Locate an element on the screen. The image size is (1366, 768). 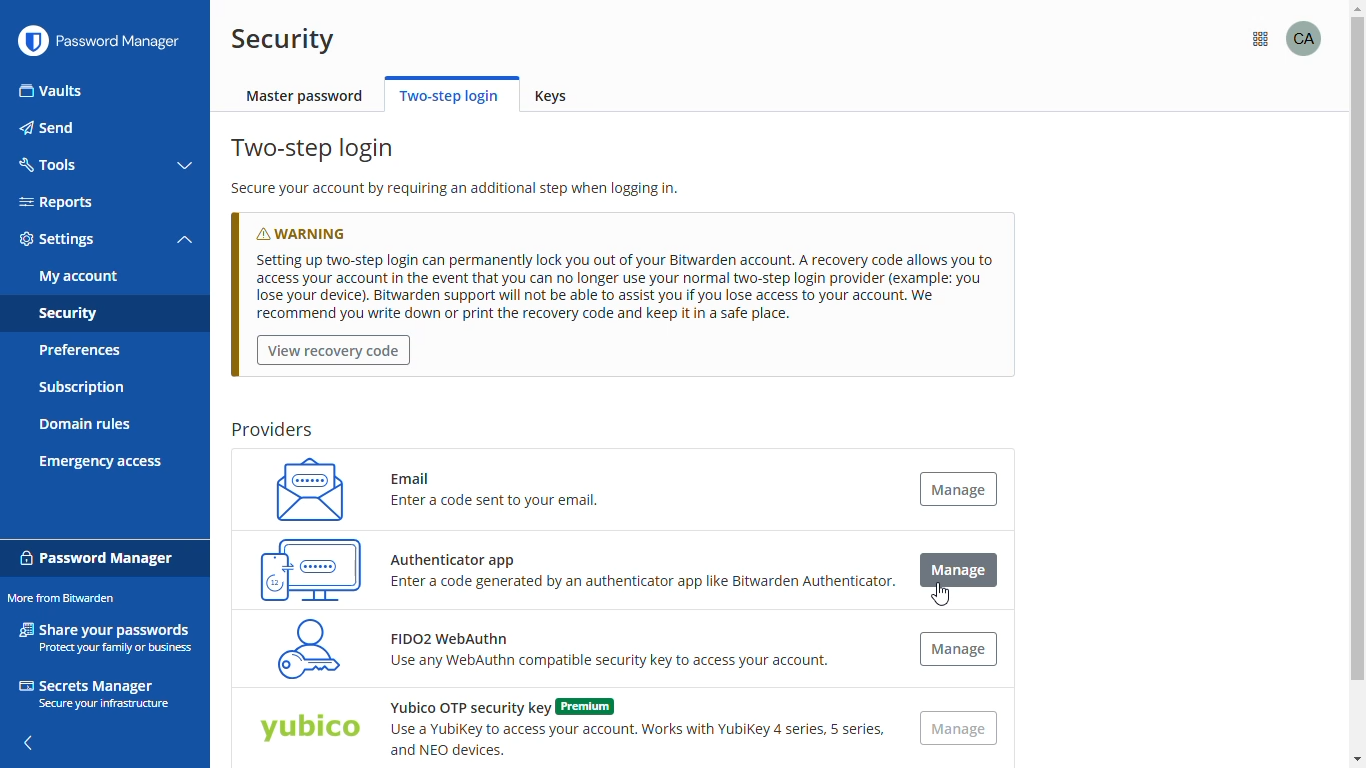
profile is located at coordinates (1304, 38).